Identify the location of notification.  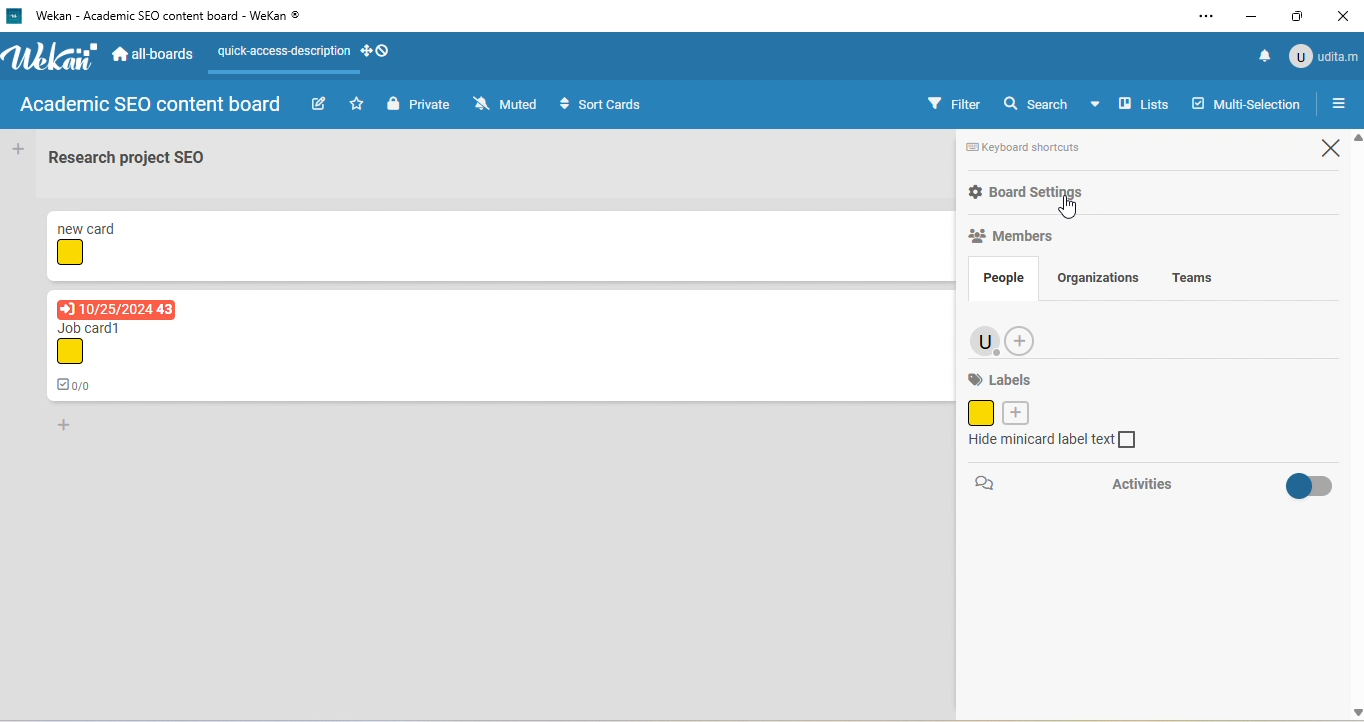
(1260, 60).